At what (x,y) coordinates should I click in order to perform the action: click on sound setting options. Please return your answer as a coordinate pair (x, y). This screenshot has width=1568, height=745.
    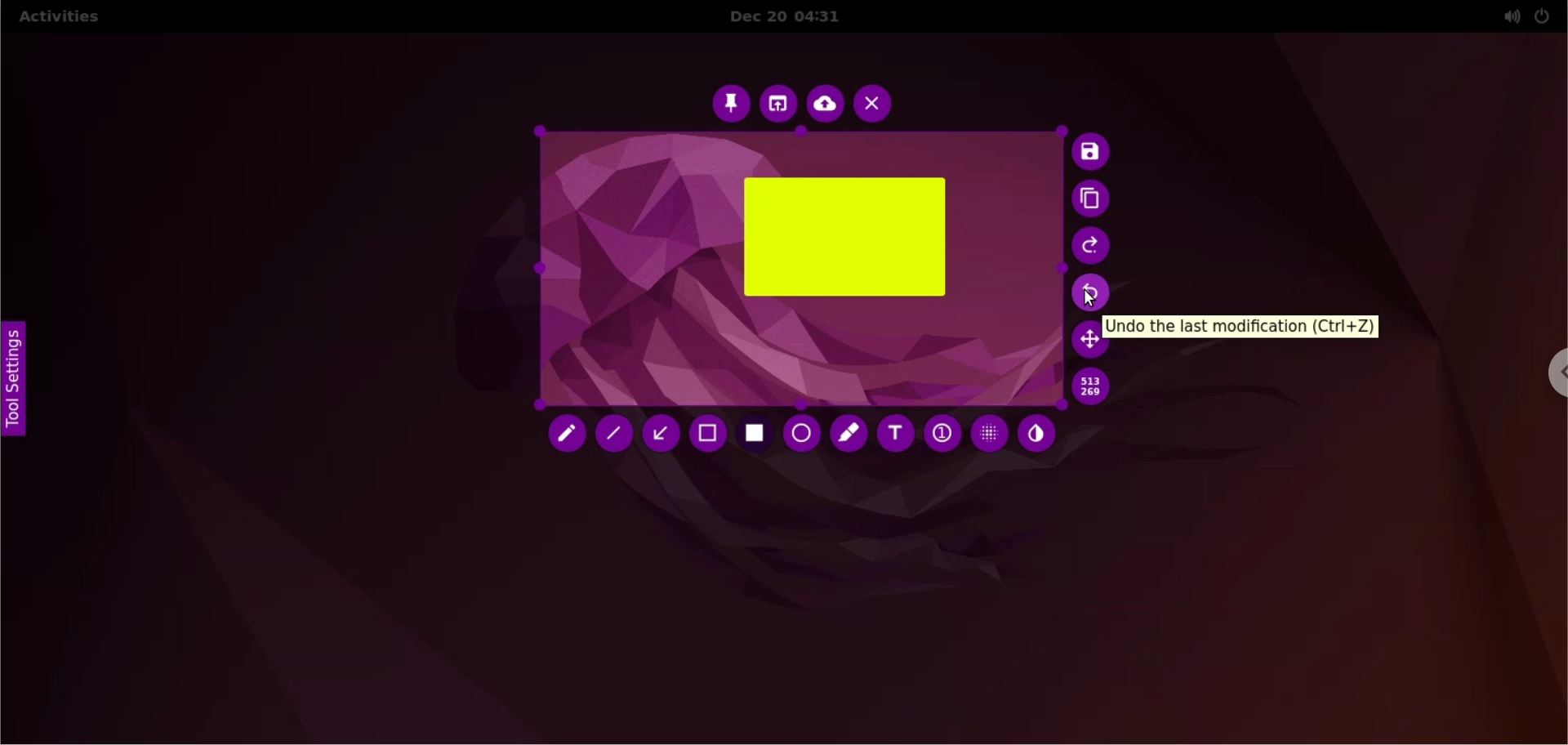
    Looking at the image, I should click on (1506, 16).